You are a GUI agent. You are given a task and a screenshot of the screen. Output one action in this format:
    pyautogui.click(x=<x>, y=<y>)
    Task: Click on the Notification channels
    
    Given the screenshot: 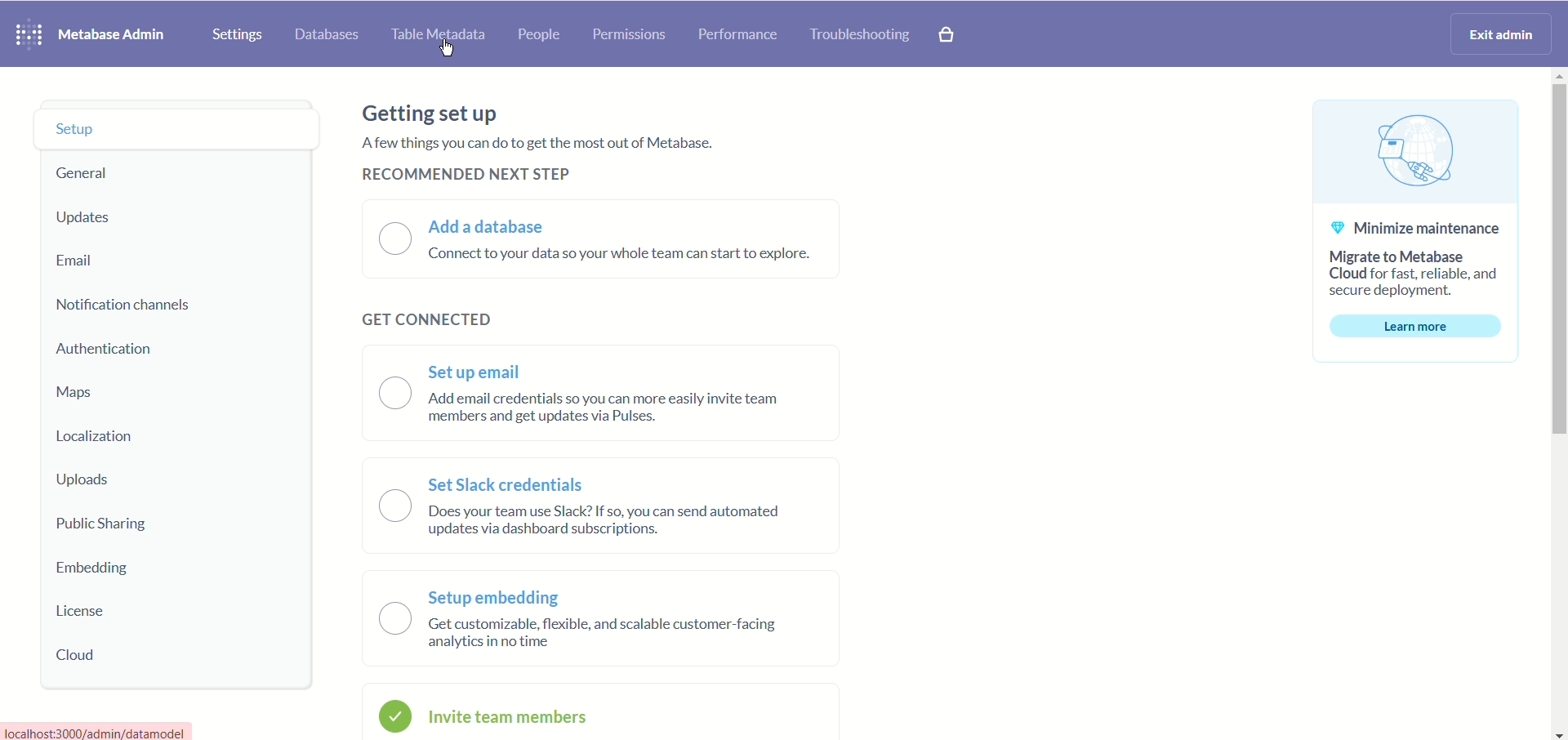 What is the action you would take?
    pyautogui.click(x=131, y=306)
    